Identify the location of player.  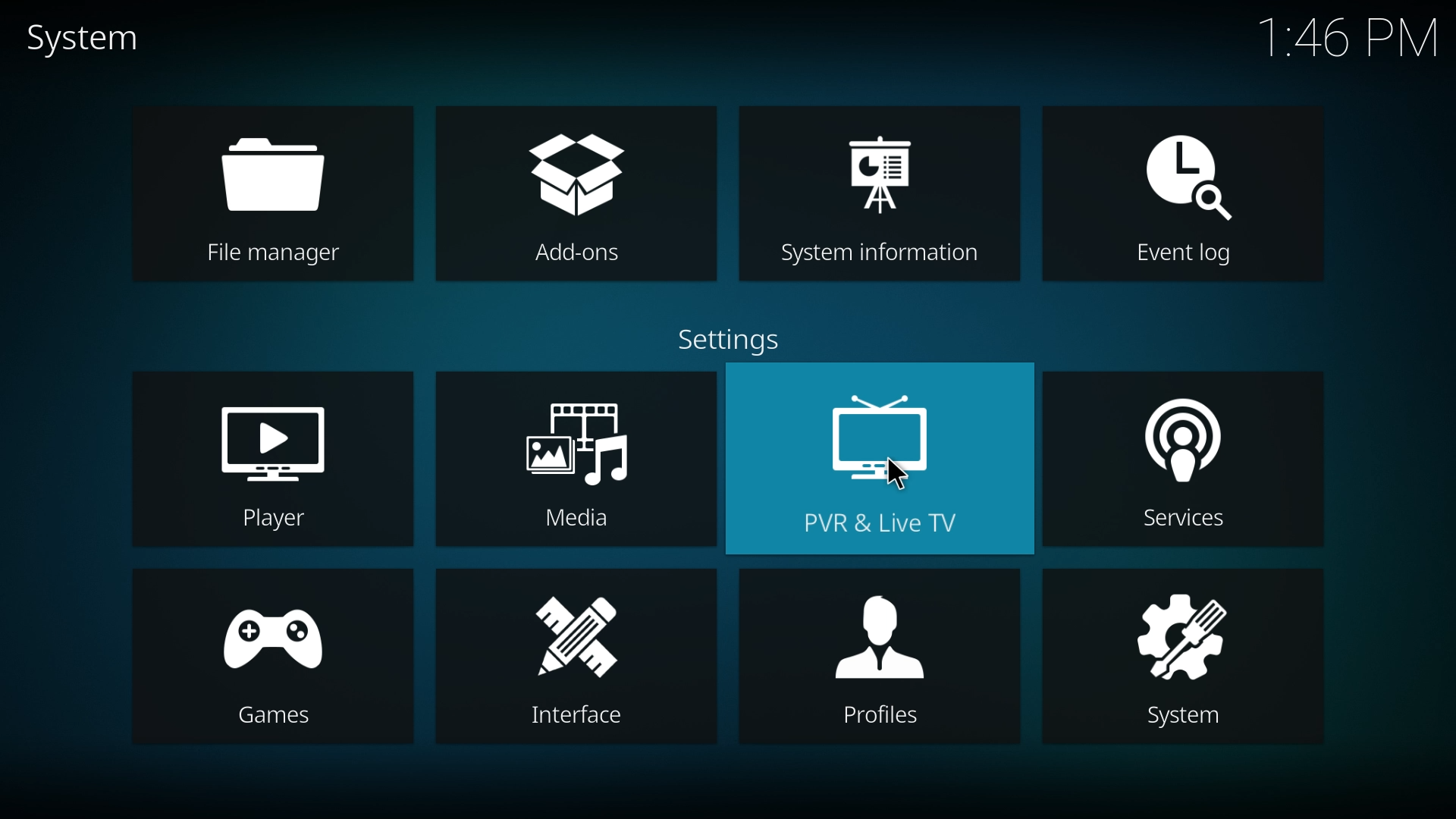
(273, 459).